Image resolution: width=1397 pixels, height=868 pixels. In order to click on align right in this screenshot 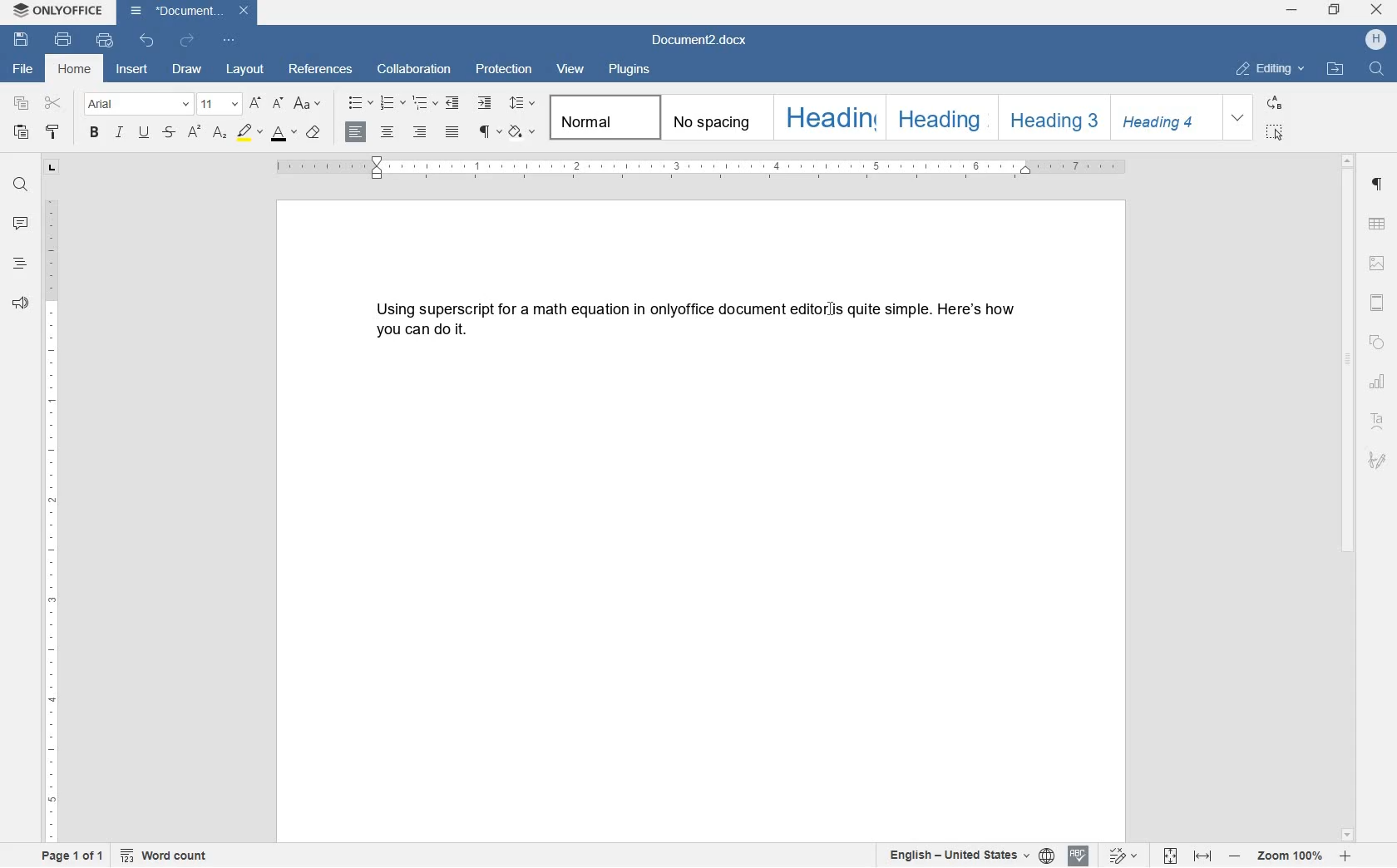, I will do `click(421, 132)`.